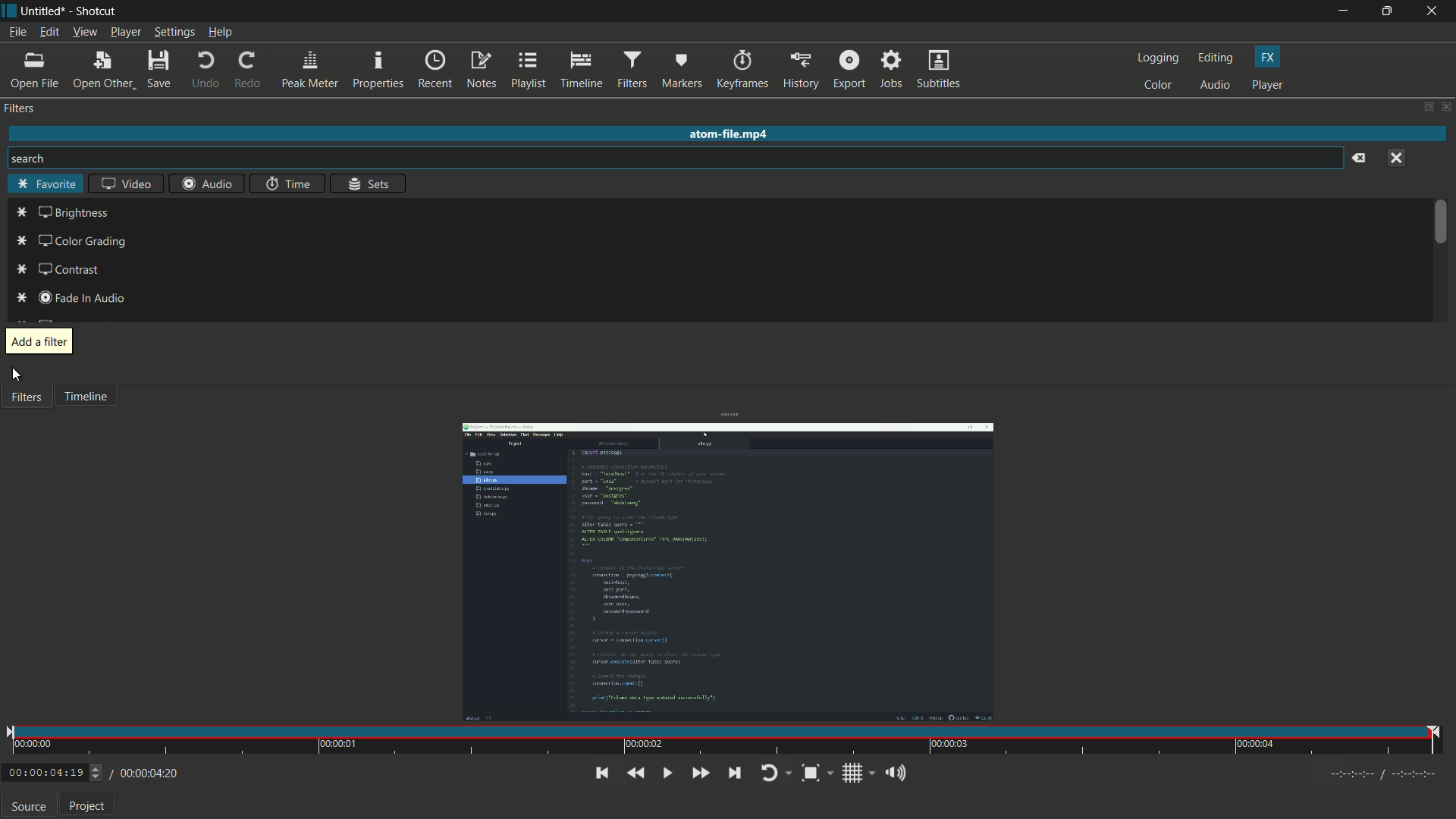  Describe the element at coordinates (1348, 11) in the screenshot. I see `minimize` at that location.